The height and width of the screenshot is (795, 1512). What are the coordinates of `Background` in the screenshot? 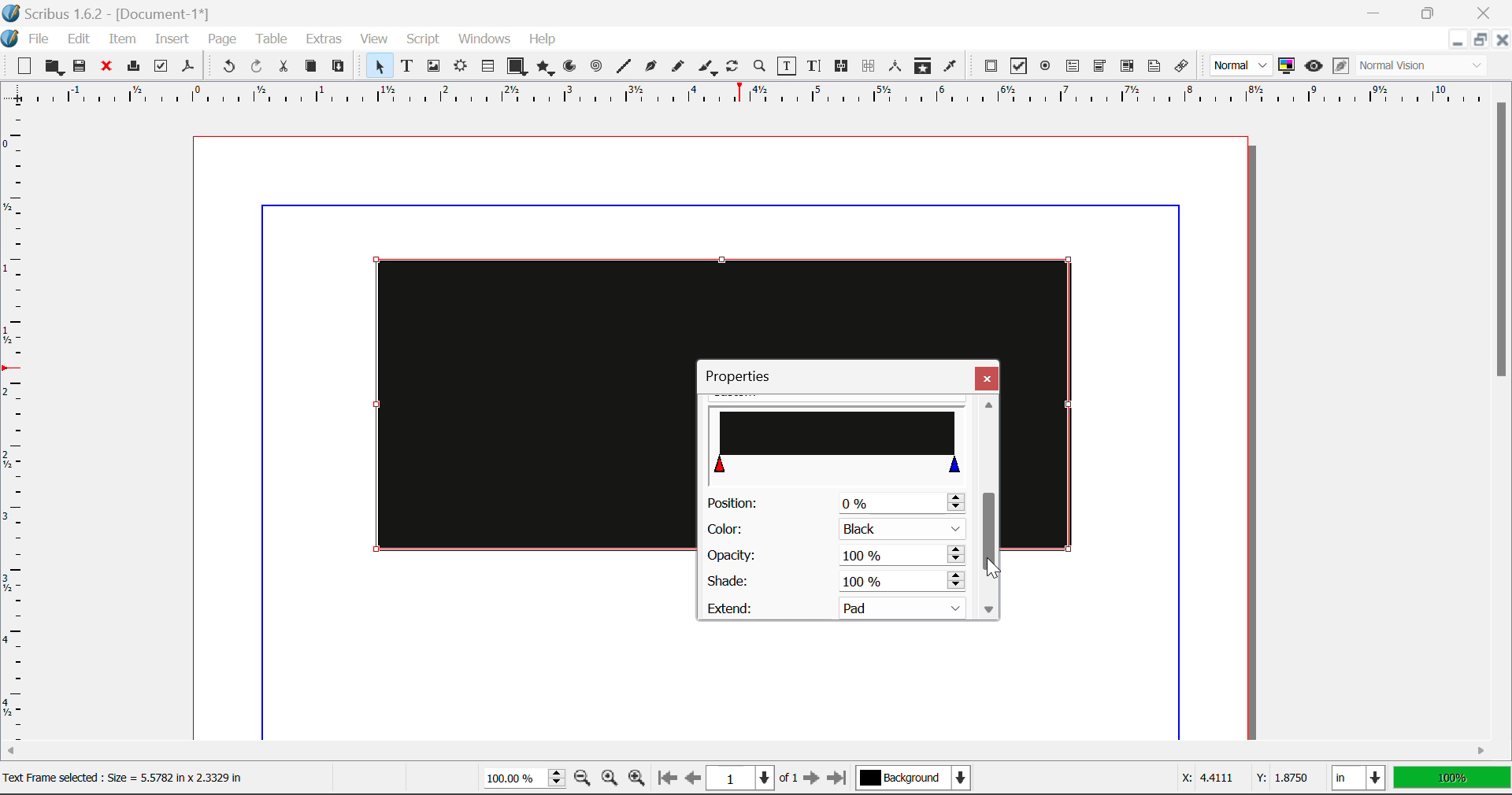 It's located at (917, 780).